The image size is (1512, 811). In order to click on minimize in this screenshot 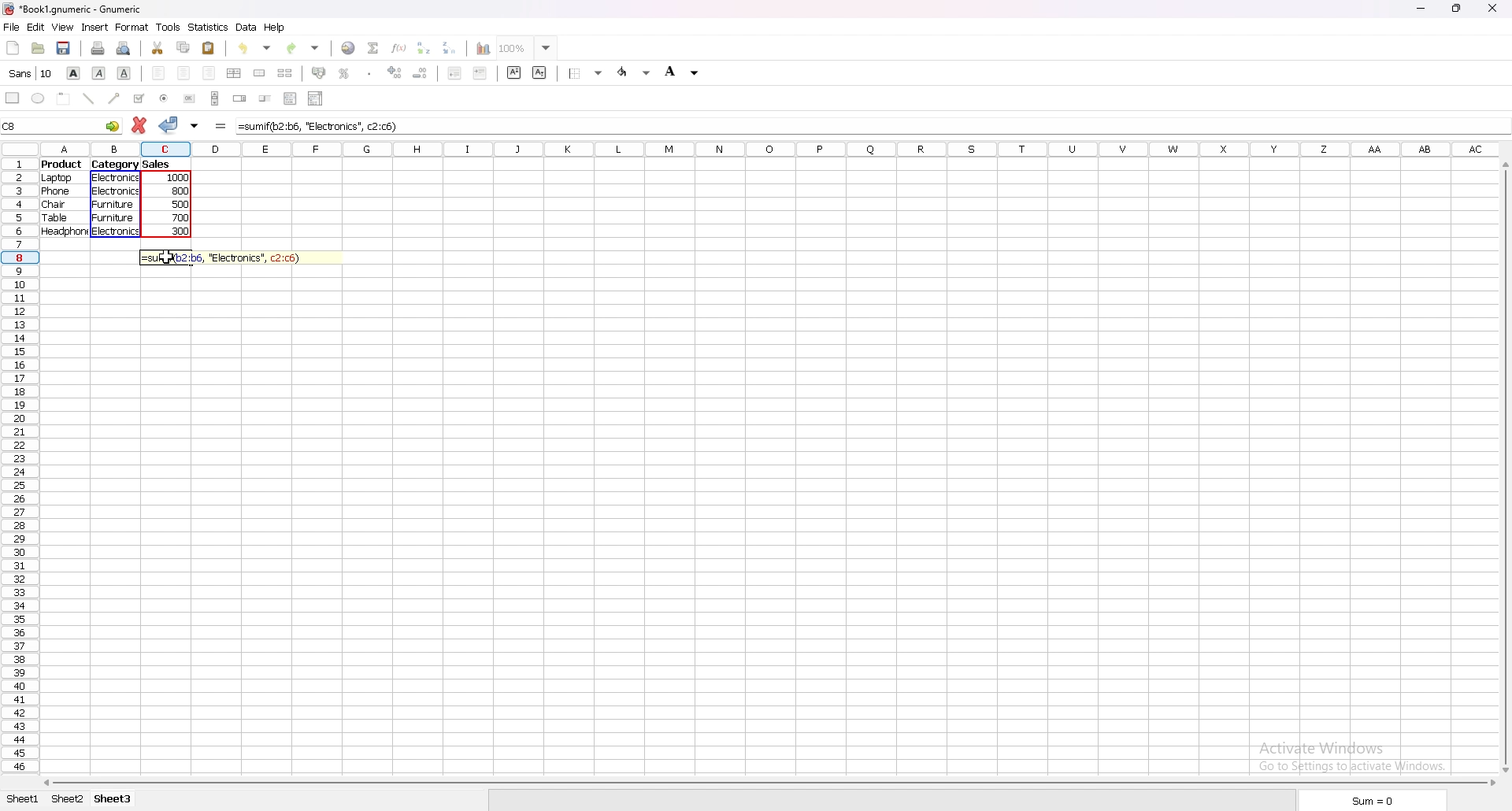, I will do `click(1421, 9)`.